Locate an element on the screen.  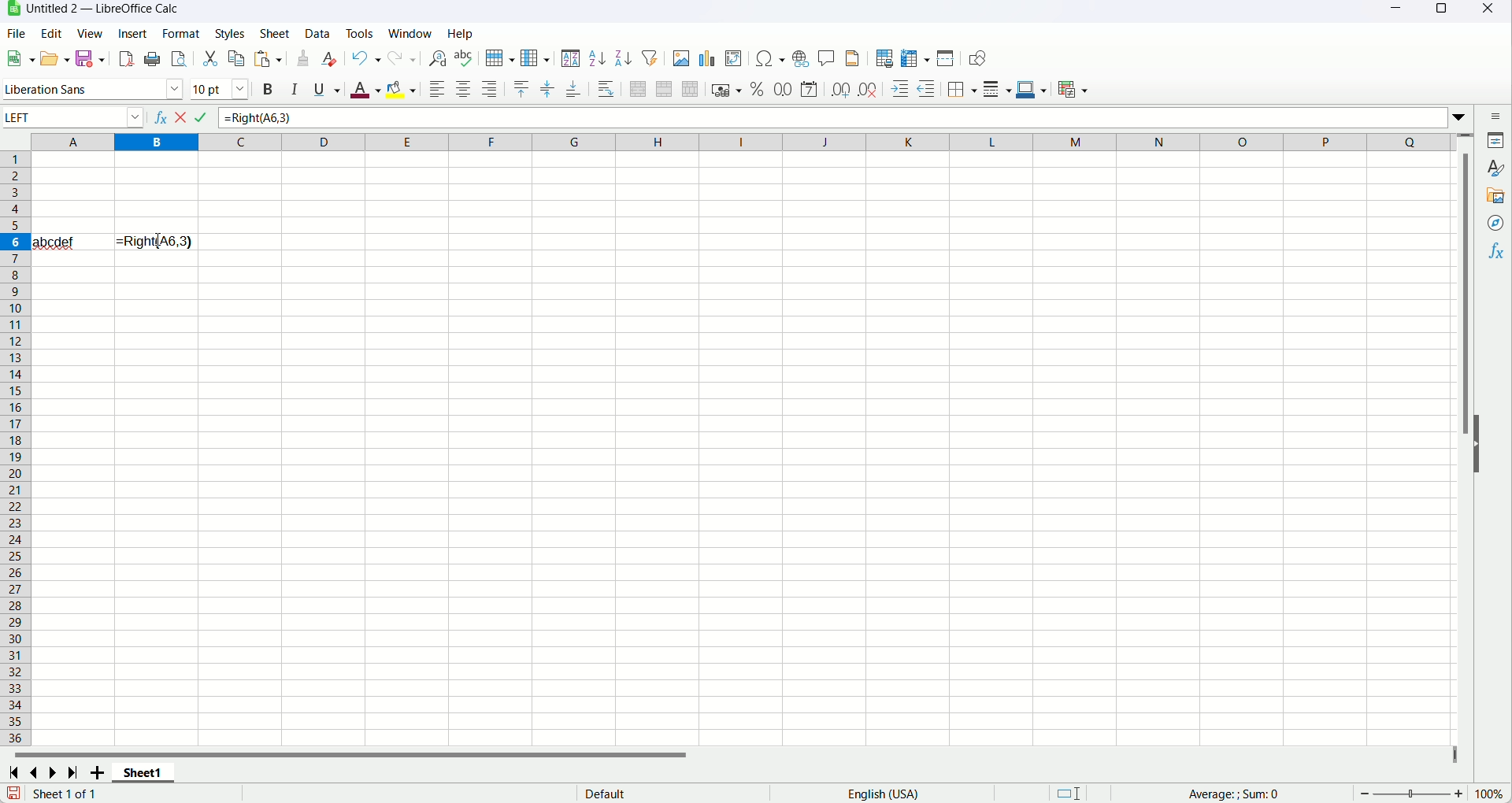
edit is located at coordinates (50, 34).